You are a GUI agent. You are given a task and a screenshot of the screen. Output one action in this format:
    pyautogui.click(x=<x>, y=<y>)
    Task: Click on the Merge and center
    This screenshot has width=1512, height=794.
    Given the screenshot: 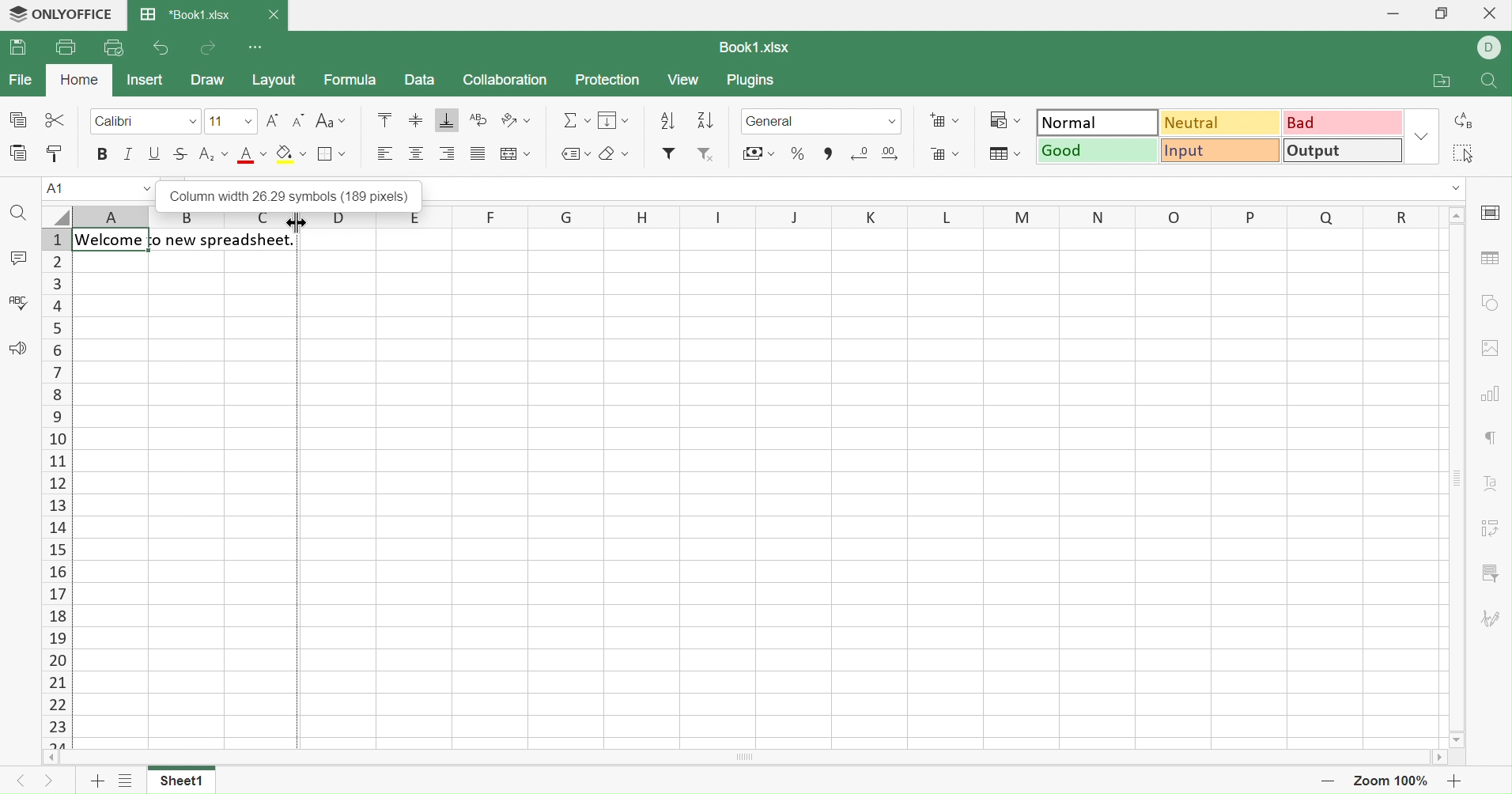 What is the action you would take?
    pyautogui.click(x=516, y=153)
    